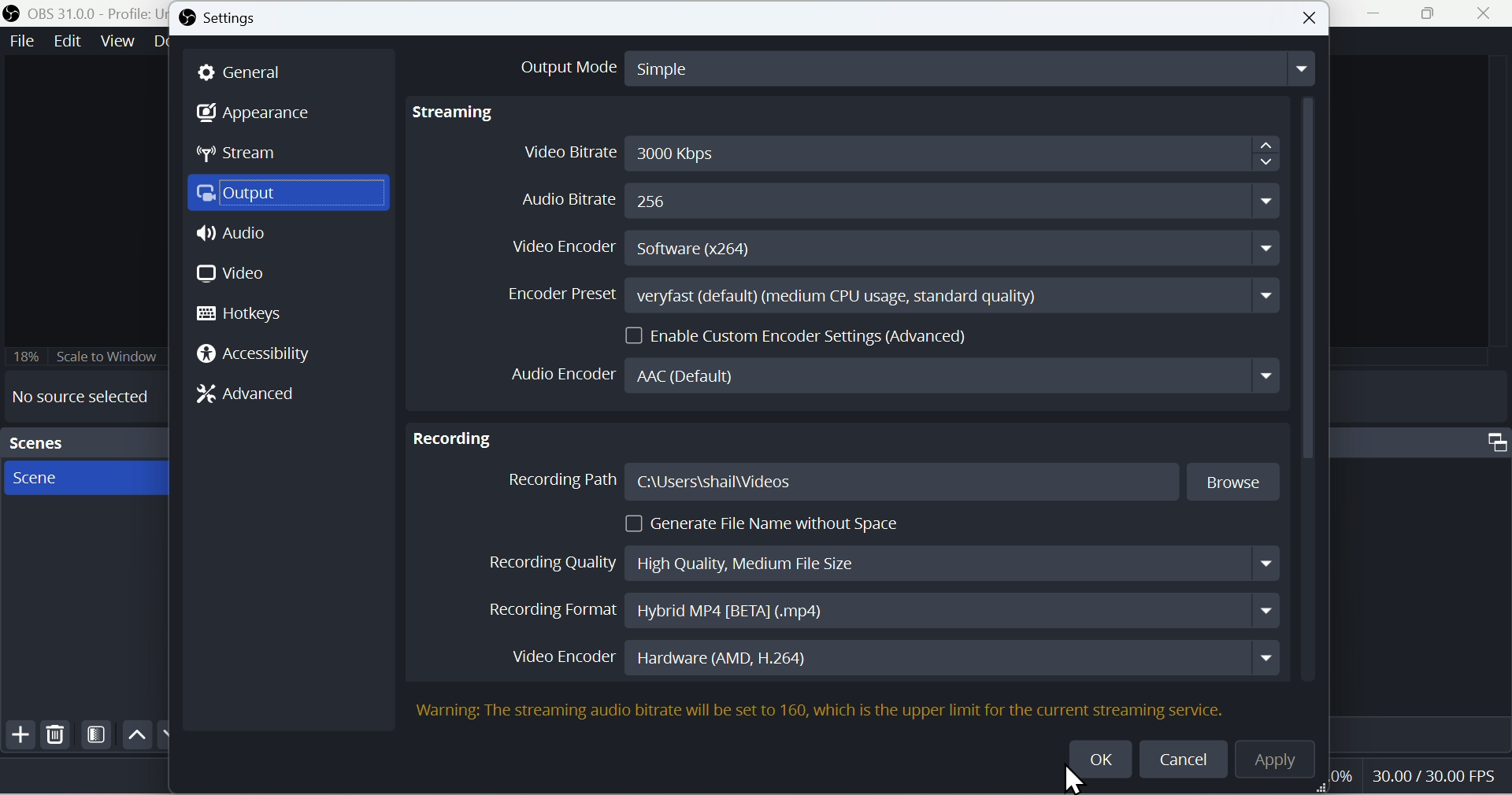  Describe the element at coordinates (56, 738) in the screenshot. I see `Delete` at that location.